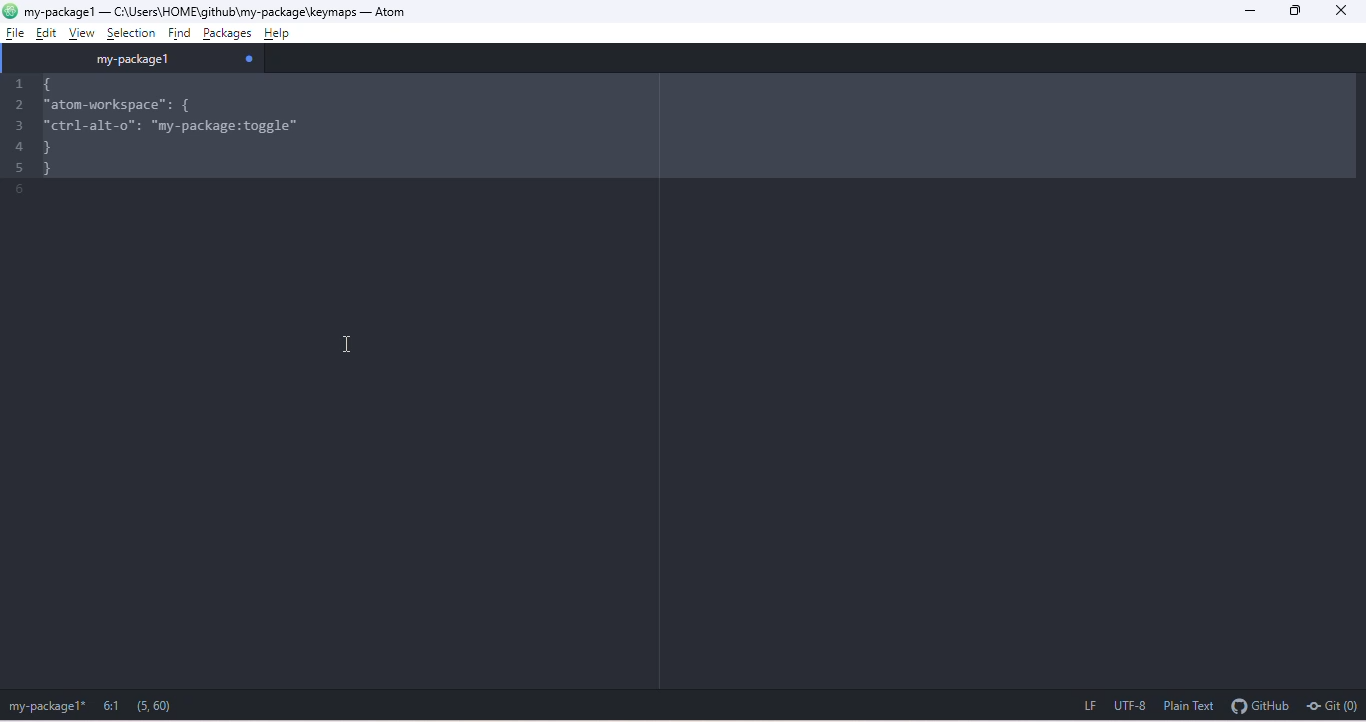 Image resolution: width=1366 pixels, height=722 pixels. Describe the element at coordinates (44, 707) in the screenshot. I see `my package1` at that location.